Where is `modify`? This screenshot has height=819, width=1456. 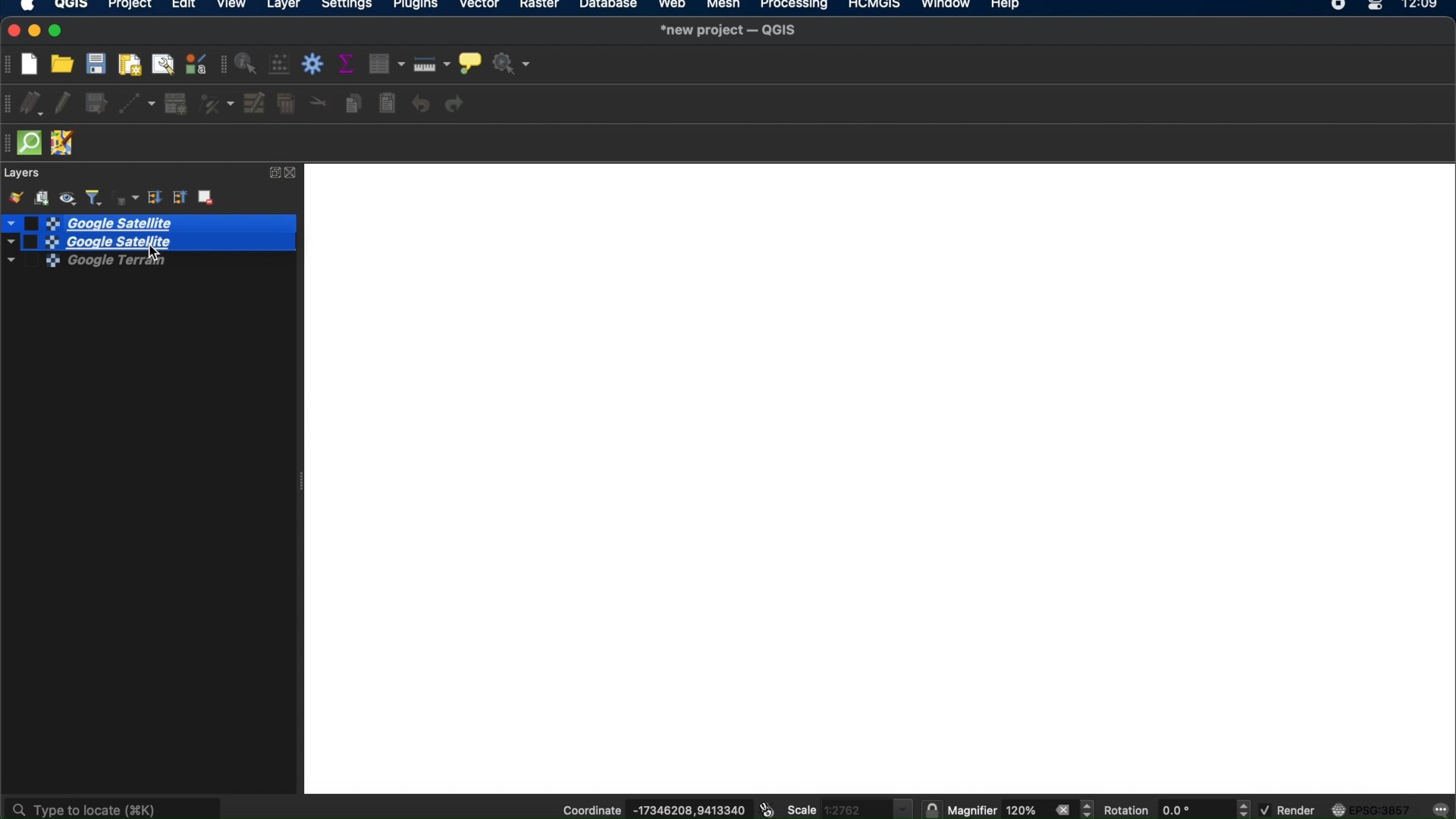 modify is located at coordinates (256, 103).